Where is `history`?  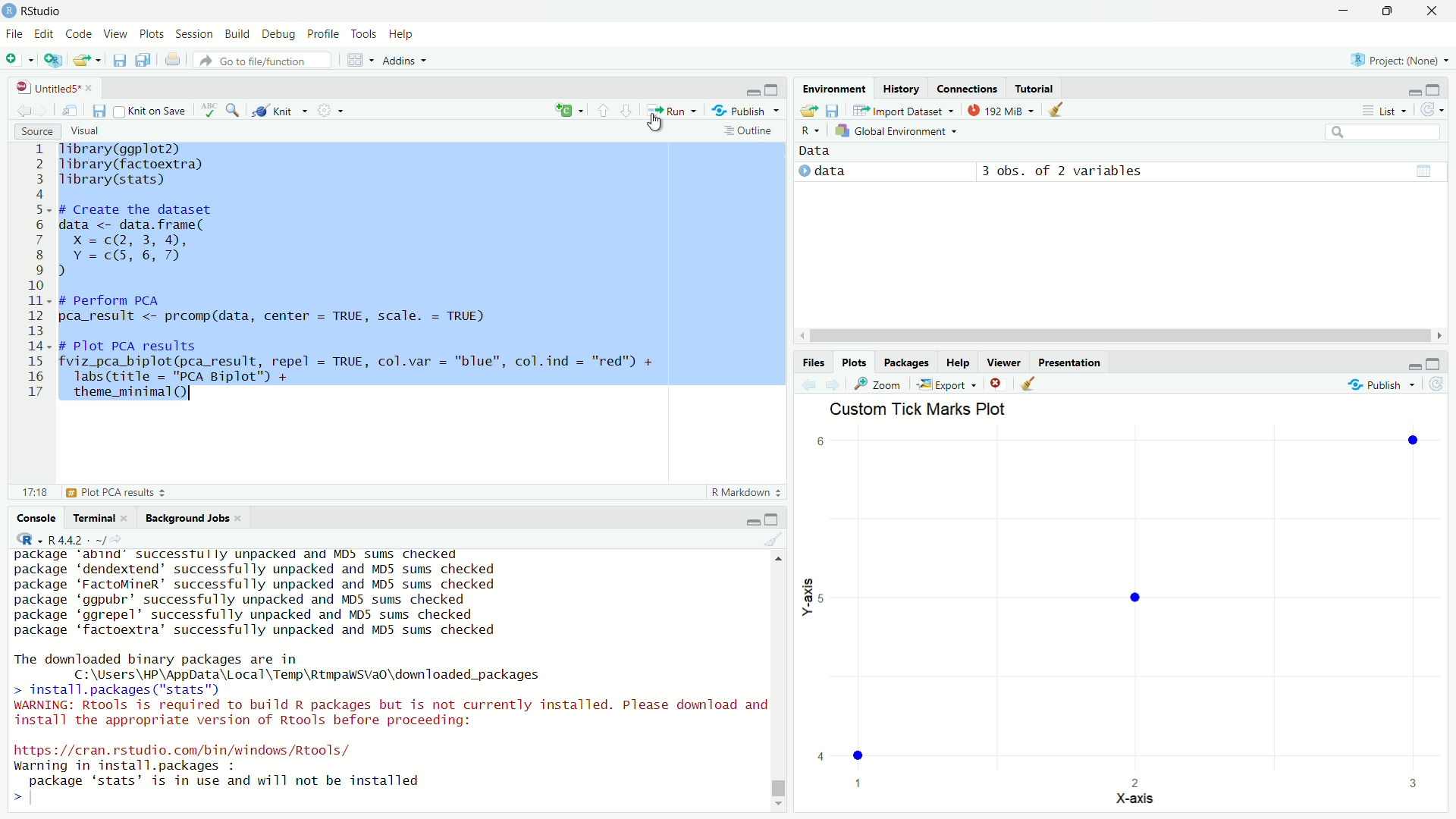 history is located at coordinates (902, 89).